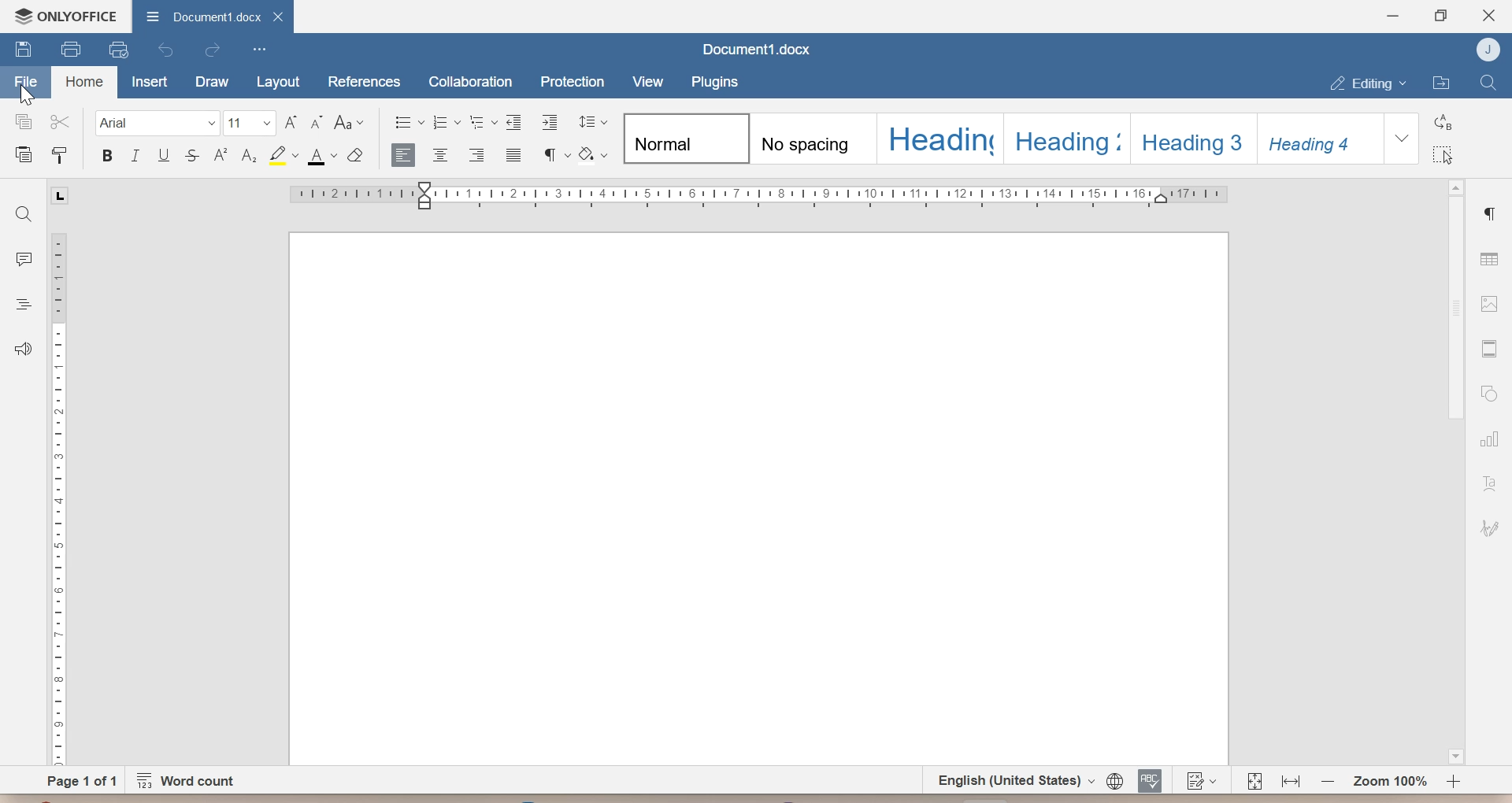 The width and height of the screenshot is (1512, 803). What do you see at coordinates (211, 83) in the screenshot?
I see `Draw` at bounding box center [211, 83].